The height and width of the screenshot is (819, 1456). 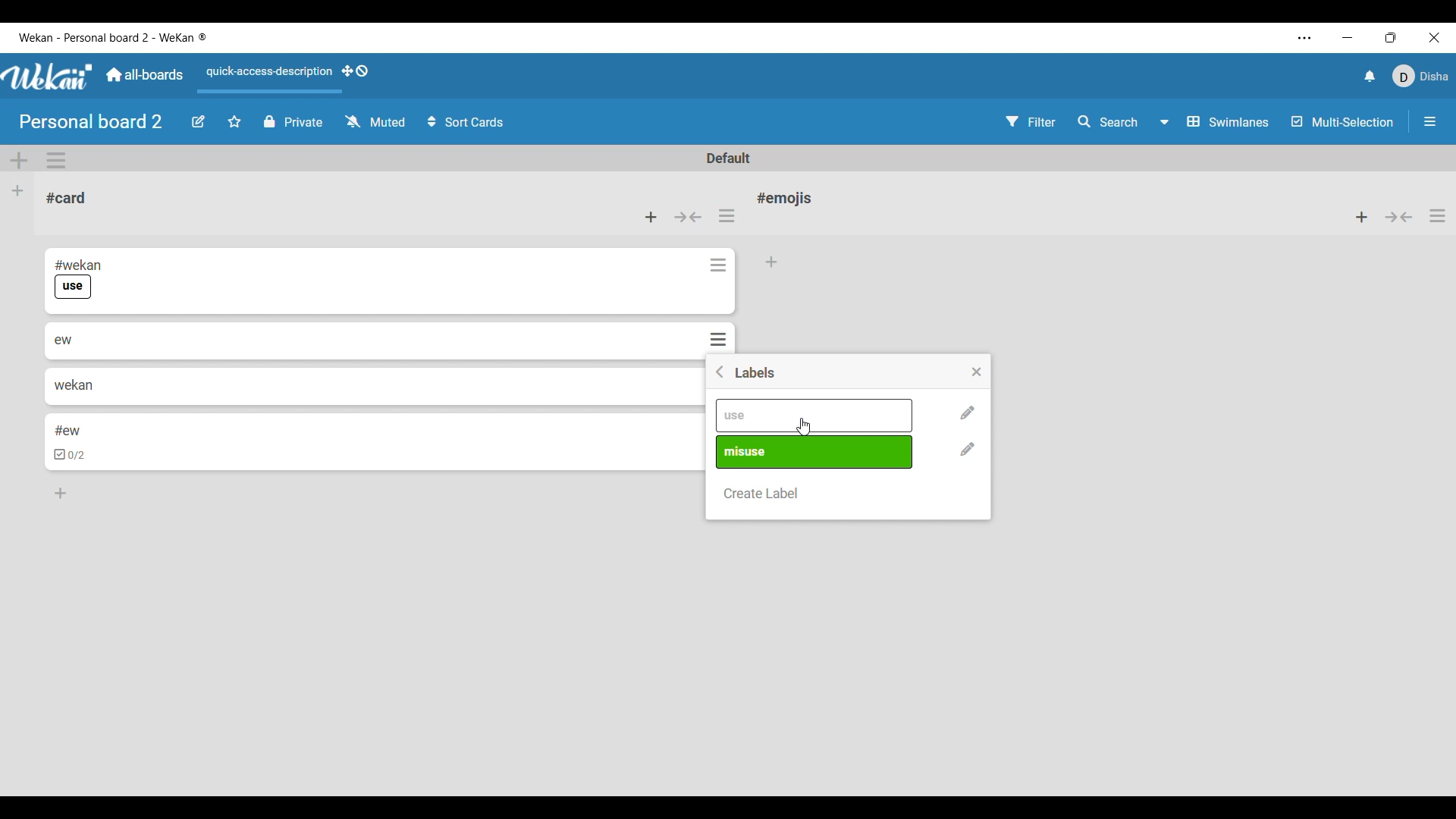 I want to click on #wekan, so click(x=79, y=264).